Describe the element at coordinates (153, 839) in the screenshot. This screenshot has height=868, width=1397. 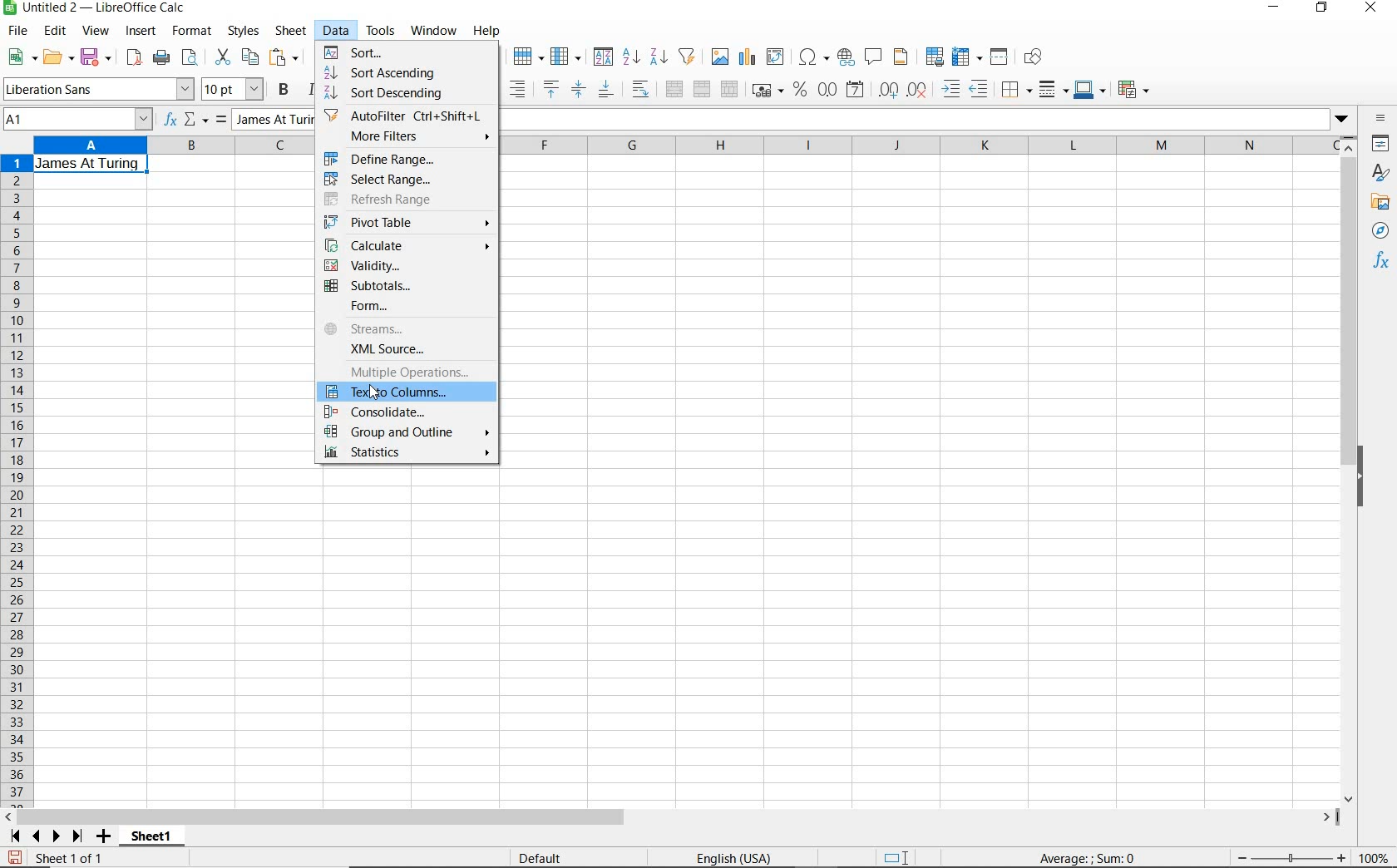
I see `sheet1` at that location.